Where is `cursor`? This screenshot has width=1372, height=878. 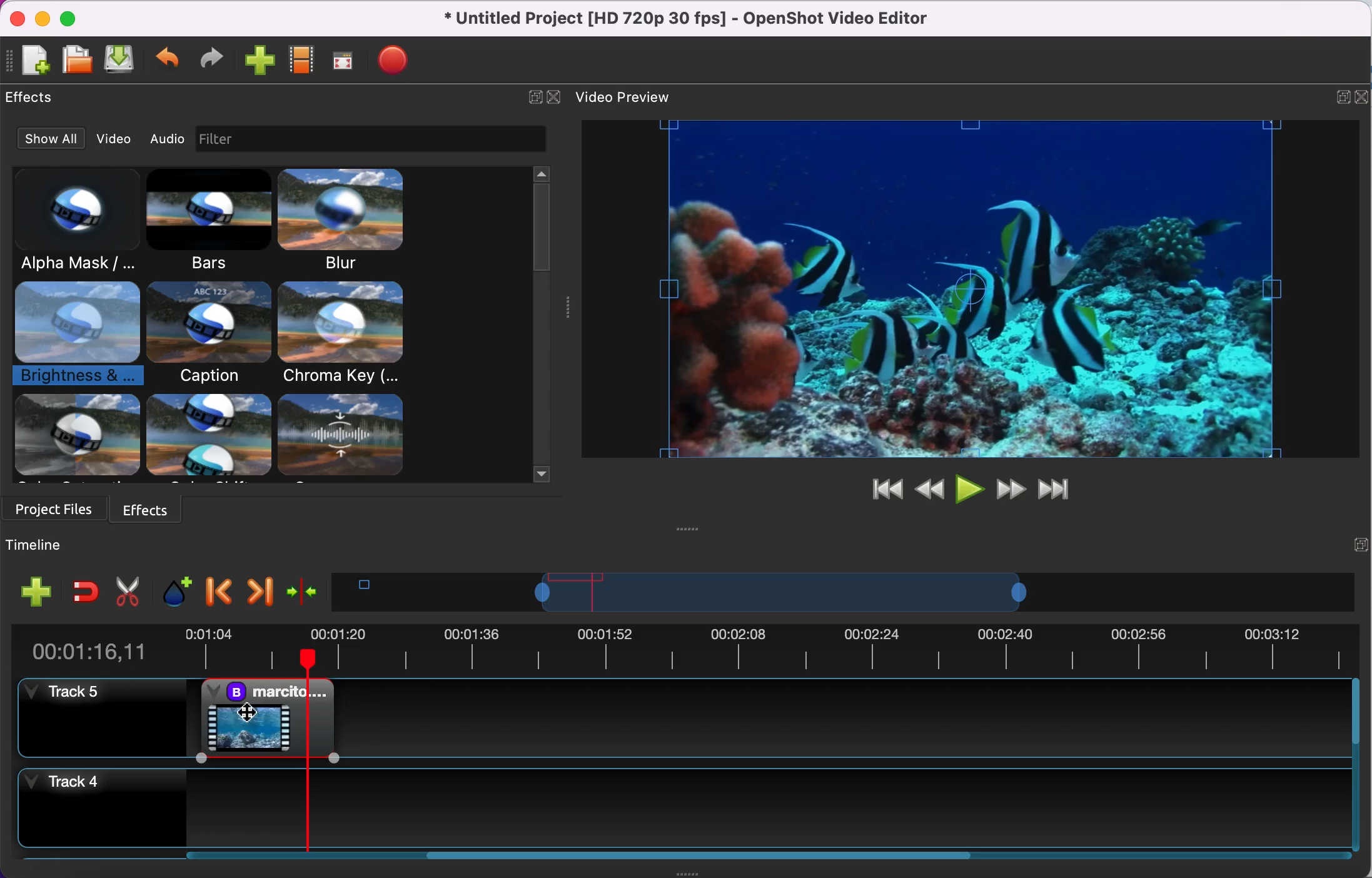 cursor is located at coordinates (248, 713).